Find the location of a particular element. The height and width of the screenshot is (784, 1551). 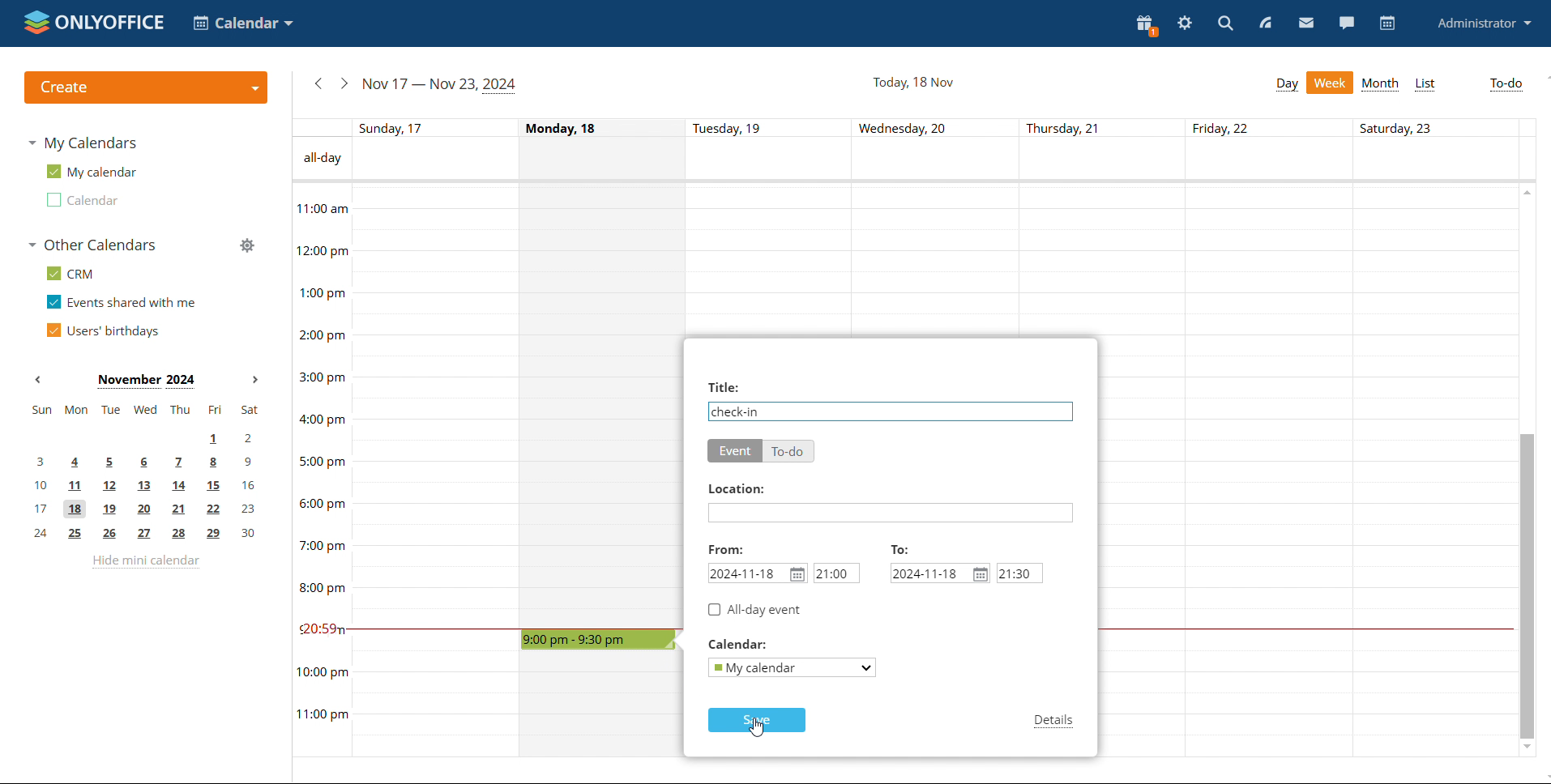

individual dates is located at coordinates (935, 127).